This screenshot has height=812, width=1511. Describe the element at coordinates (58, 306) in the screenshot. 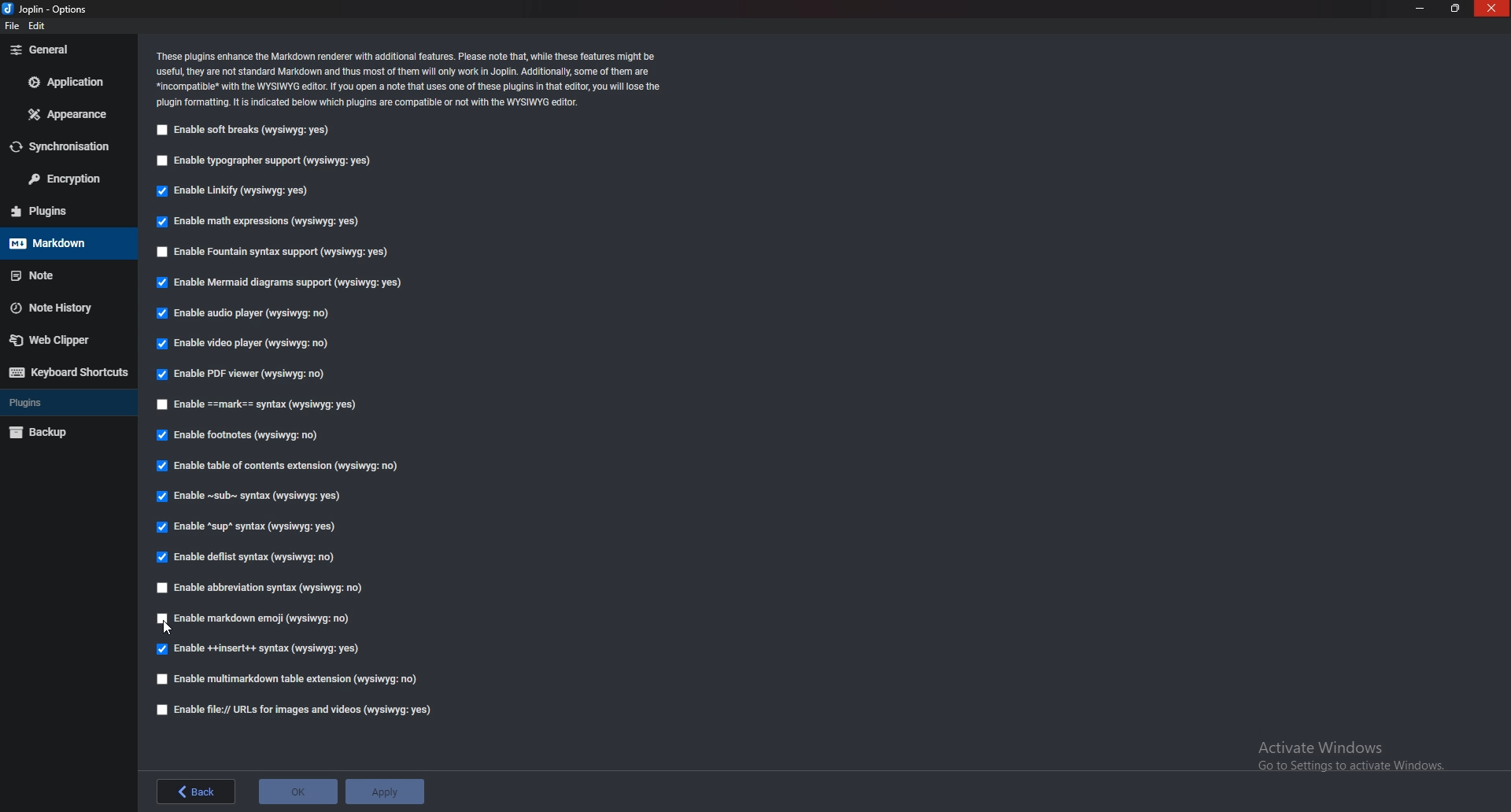

I see `Note history` at that location.